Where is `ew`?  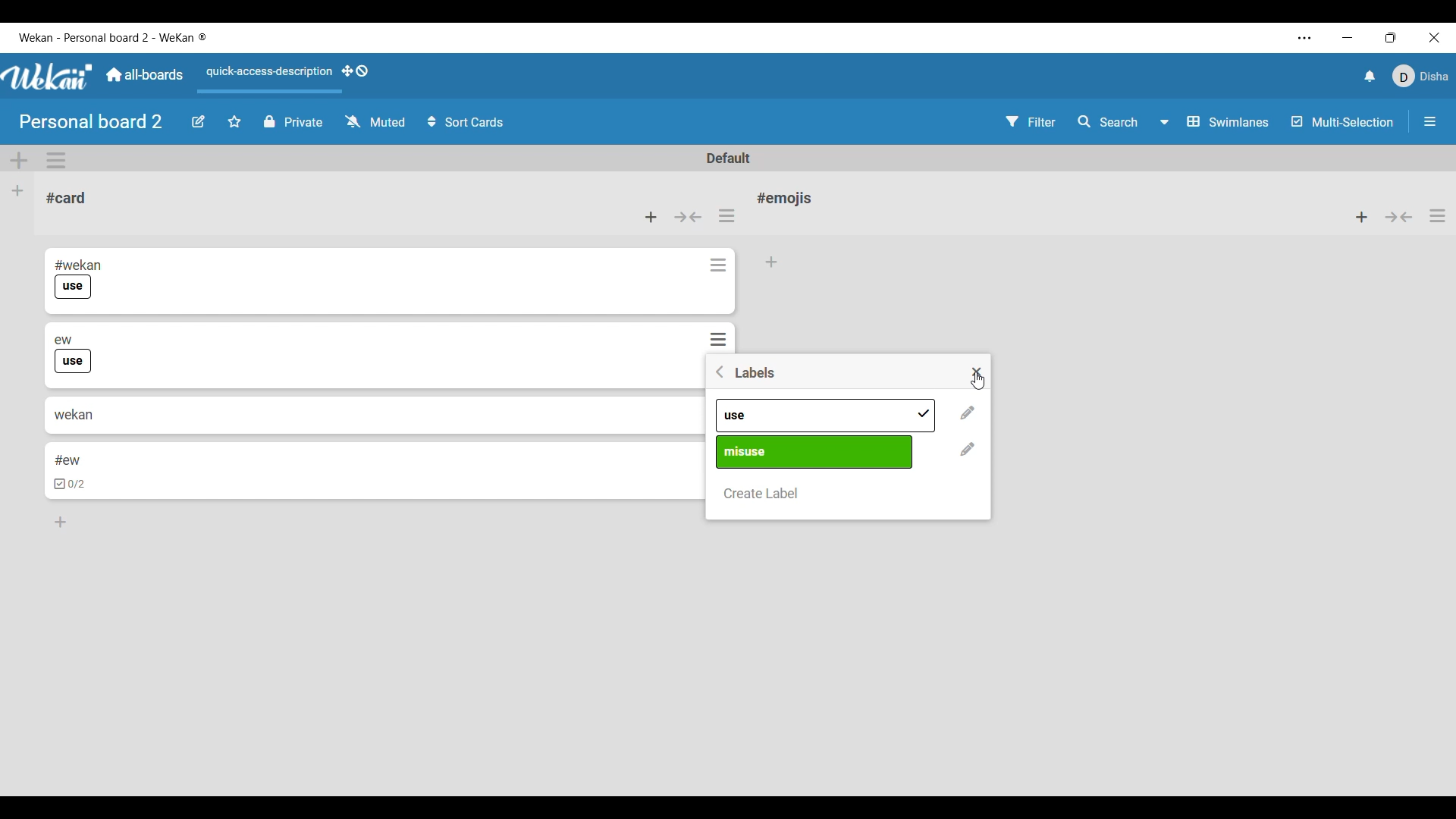 ew is located at coordinates (64, 338).